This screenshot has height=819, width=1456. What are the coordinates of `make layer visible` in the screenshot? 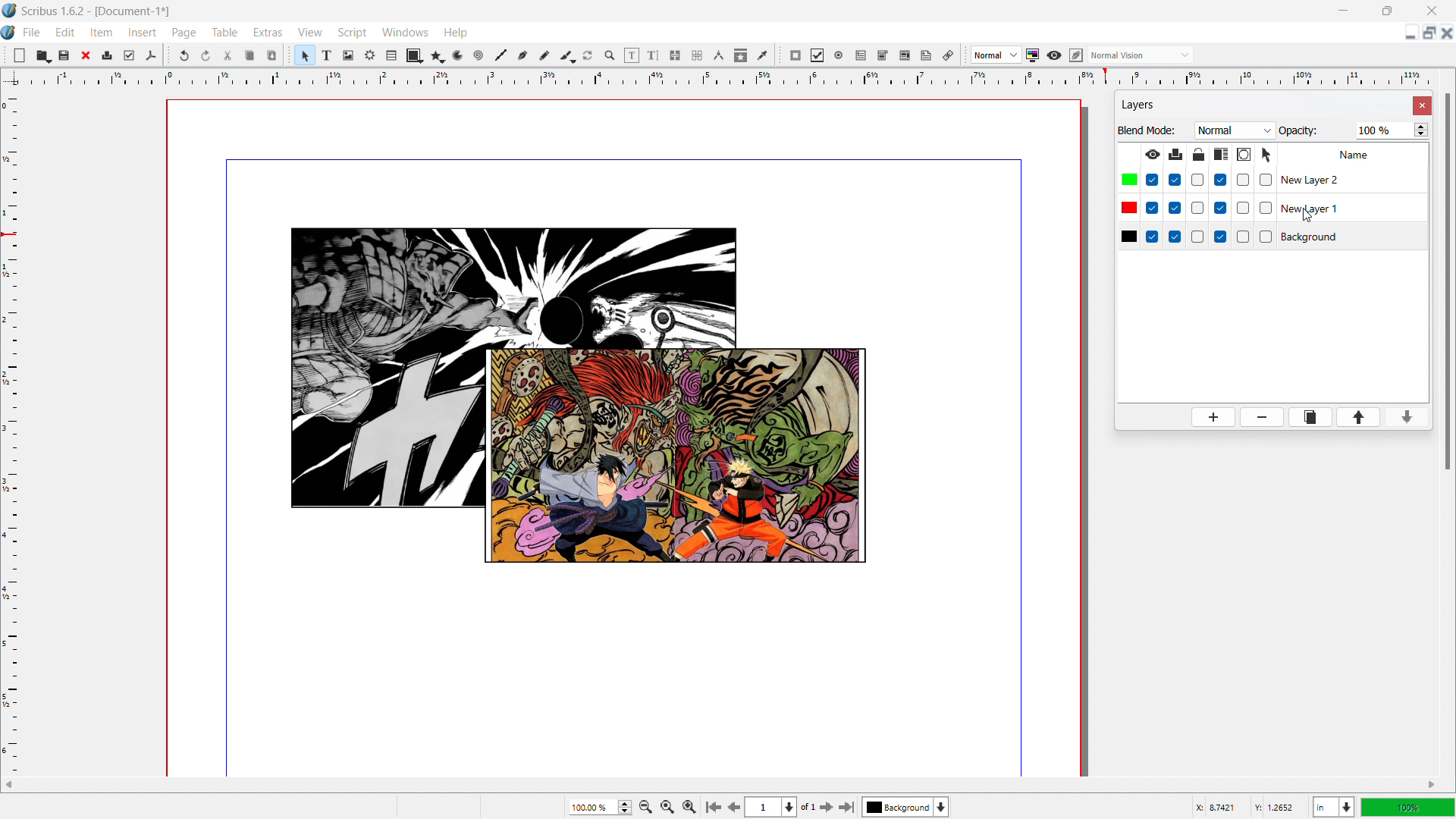 It's located at (1152, 154).